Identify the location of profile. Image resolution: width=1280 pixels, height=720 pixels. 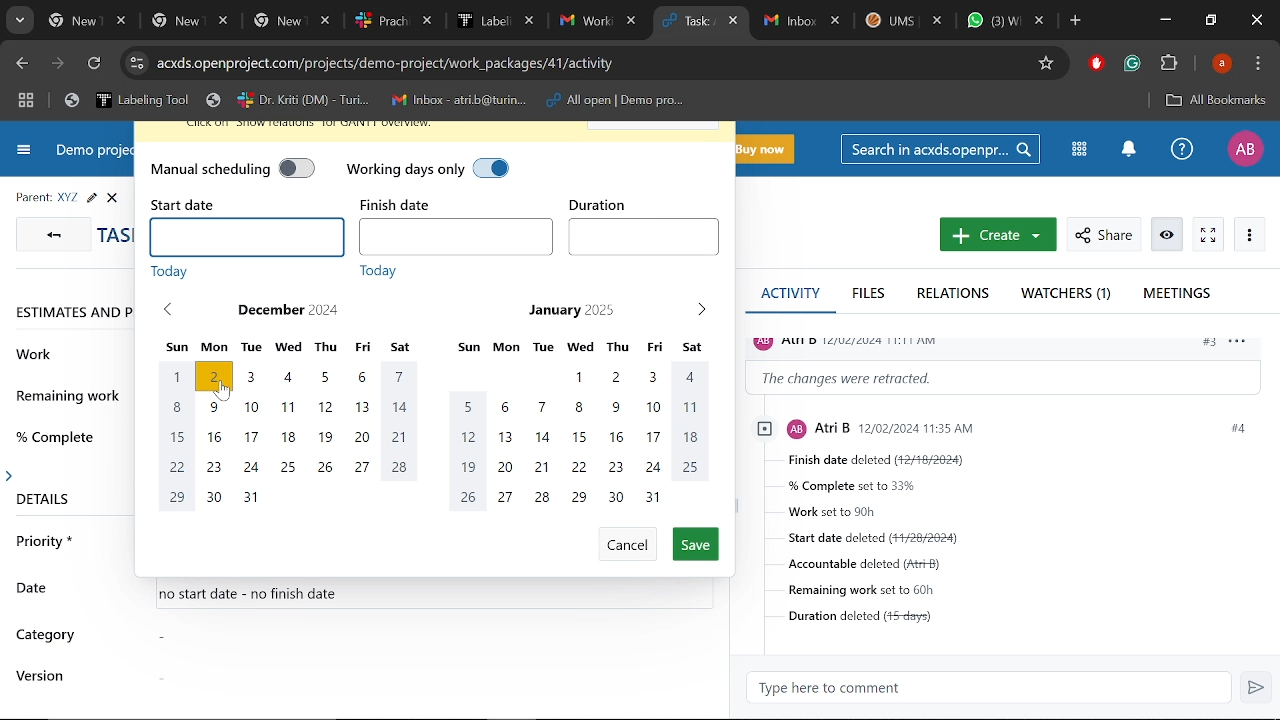
(855, 341).